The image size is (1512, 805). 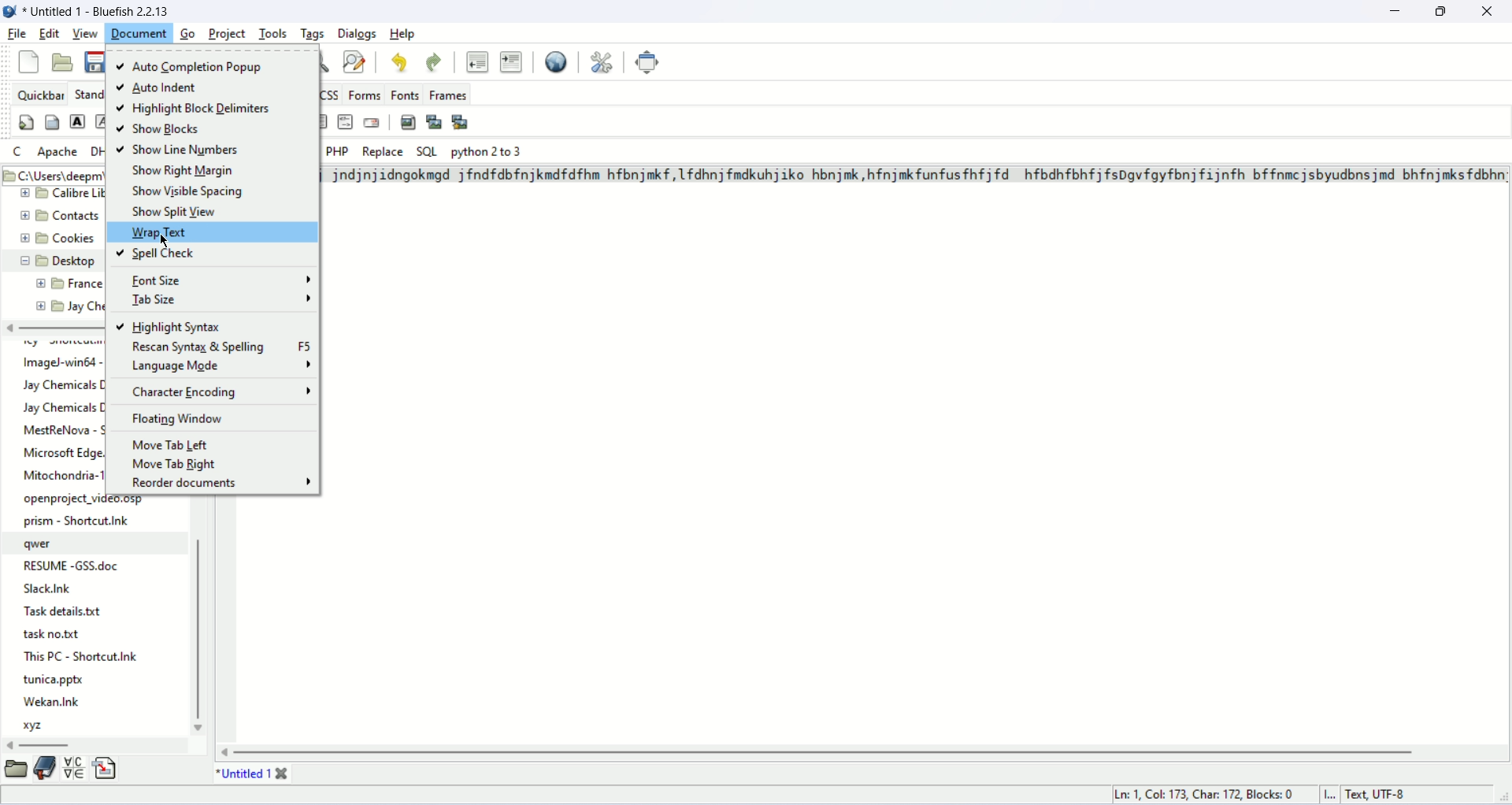 What do you see at coordinates (187, 171) in the screenshot?
I see `show right margin` at bounding box center [187, 171].